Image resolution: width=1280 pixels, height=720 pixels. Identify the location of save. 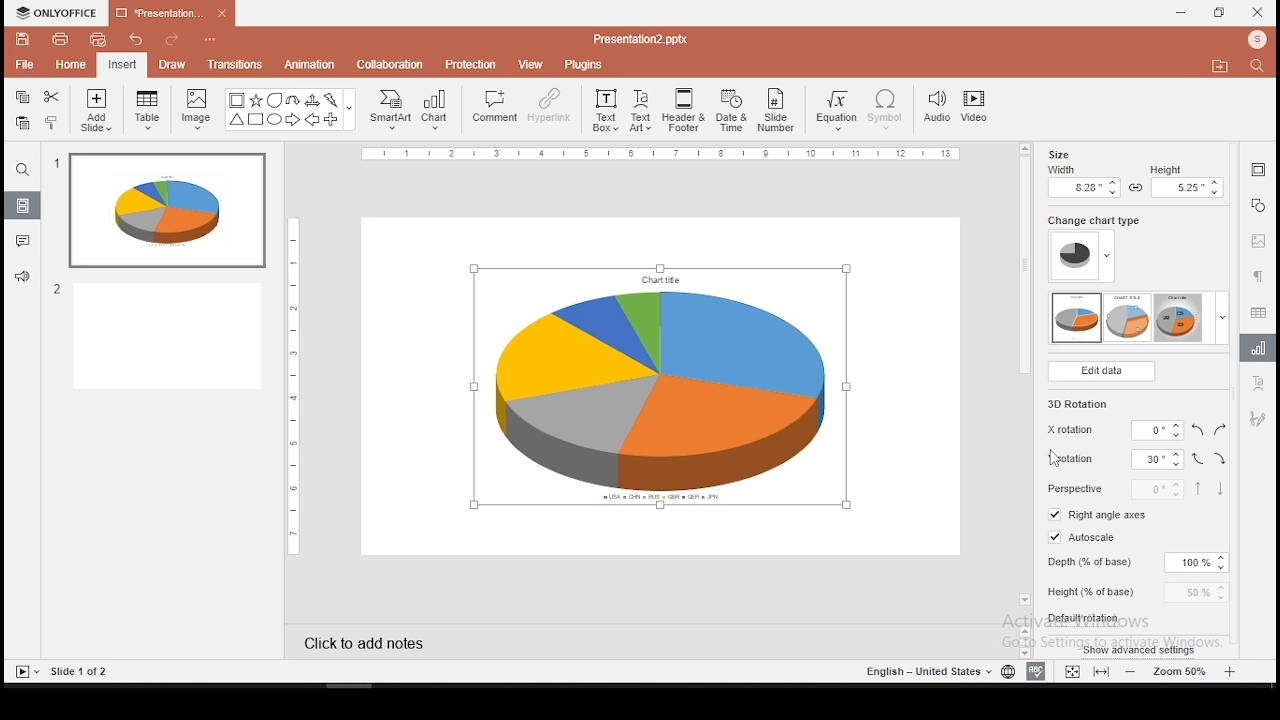
(23, 41).